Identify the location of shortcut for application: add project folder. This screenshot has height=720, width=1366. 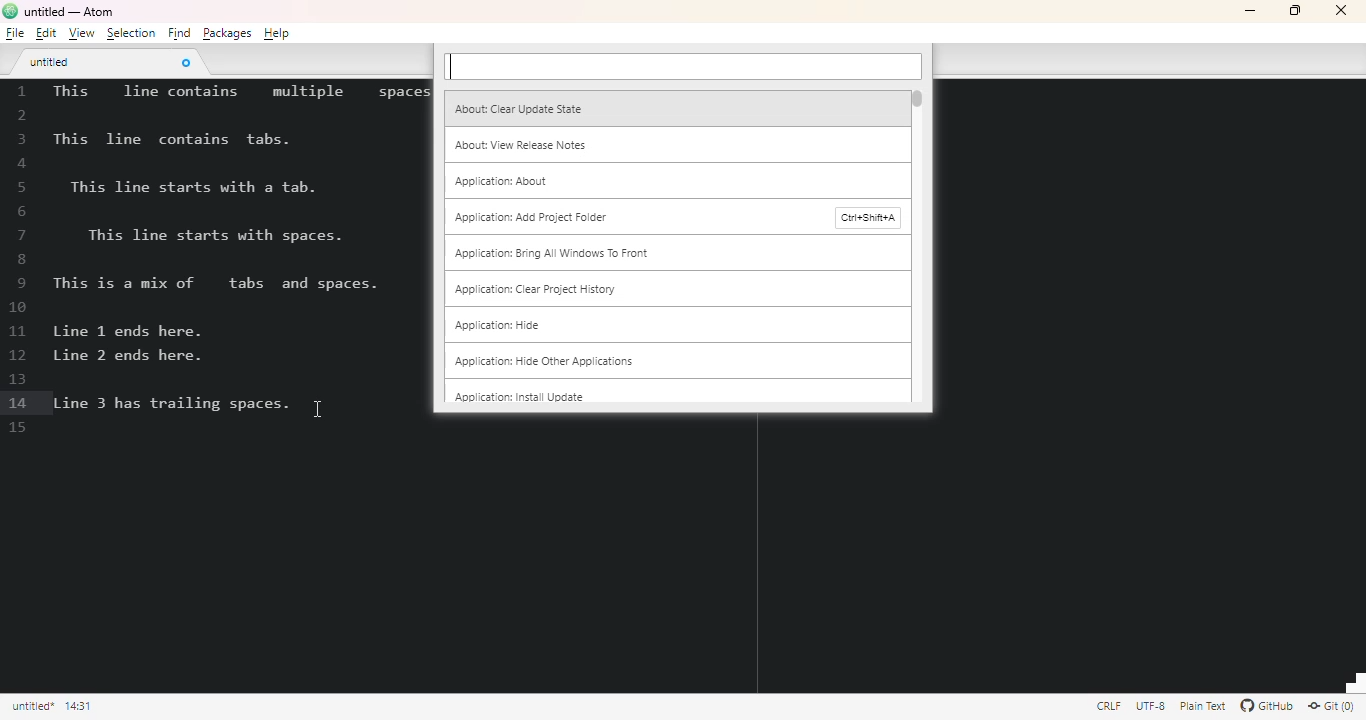
(867, 218).